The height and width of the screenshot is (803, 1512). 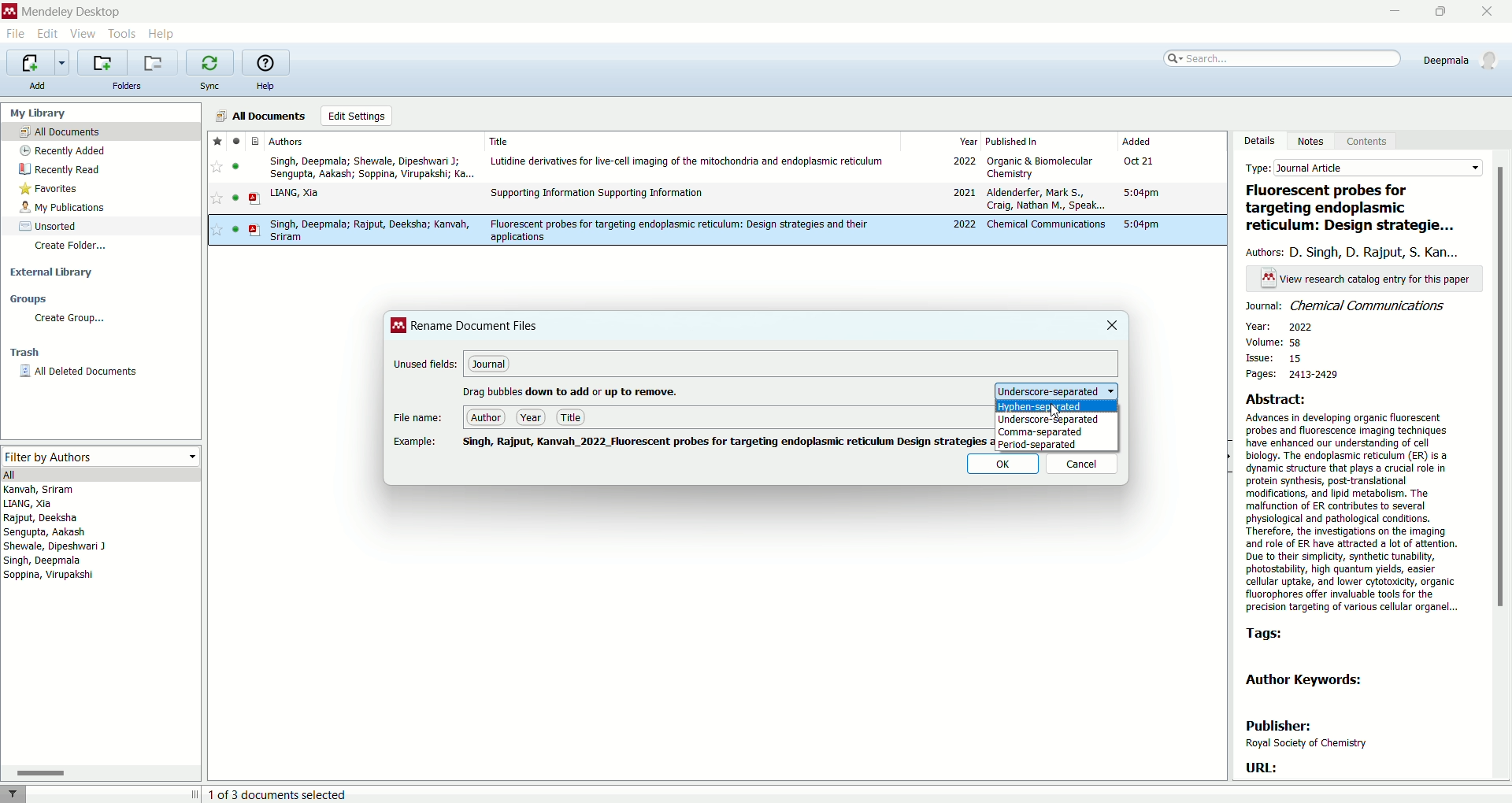 I want to click on authors, so click(x=298, y=142).